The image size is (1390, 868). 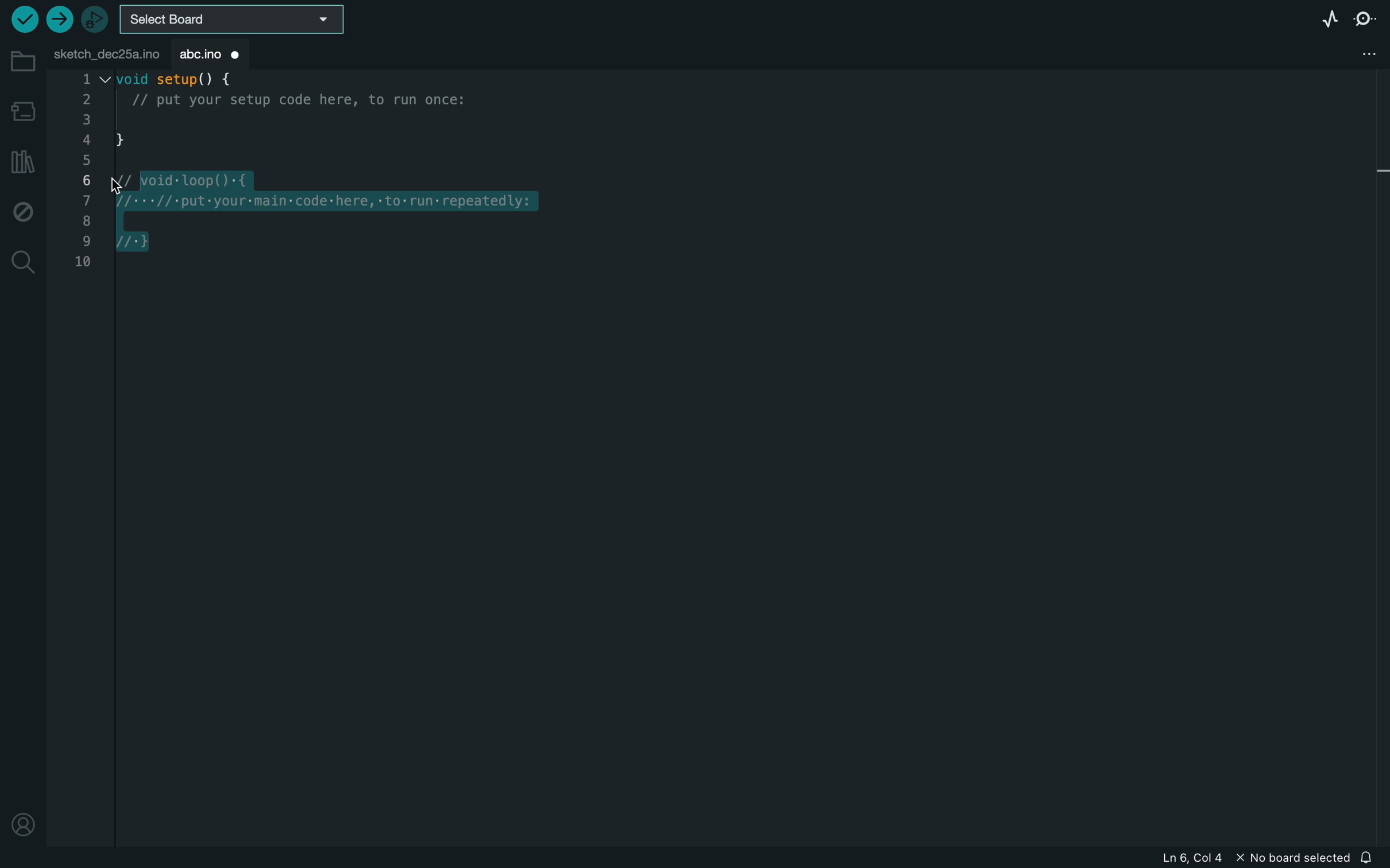 What do you see at coordinates (193, 52) in the screenshot?
I see `abc ` at bounding box center [193, 52].